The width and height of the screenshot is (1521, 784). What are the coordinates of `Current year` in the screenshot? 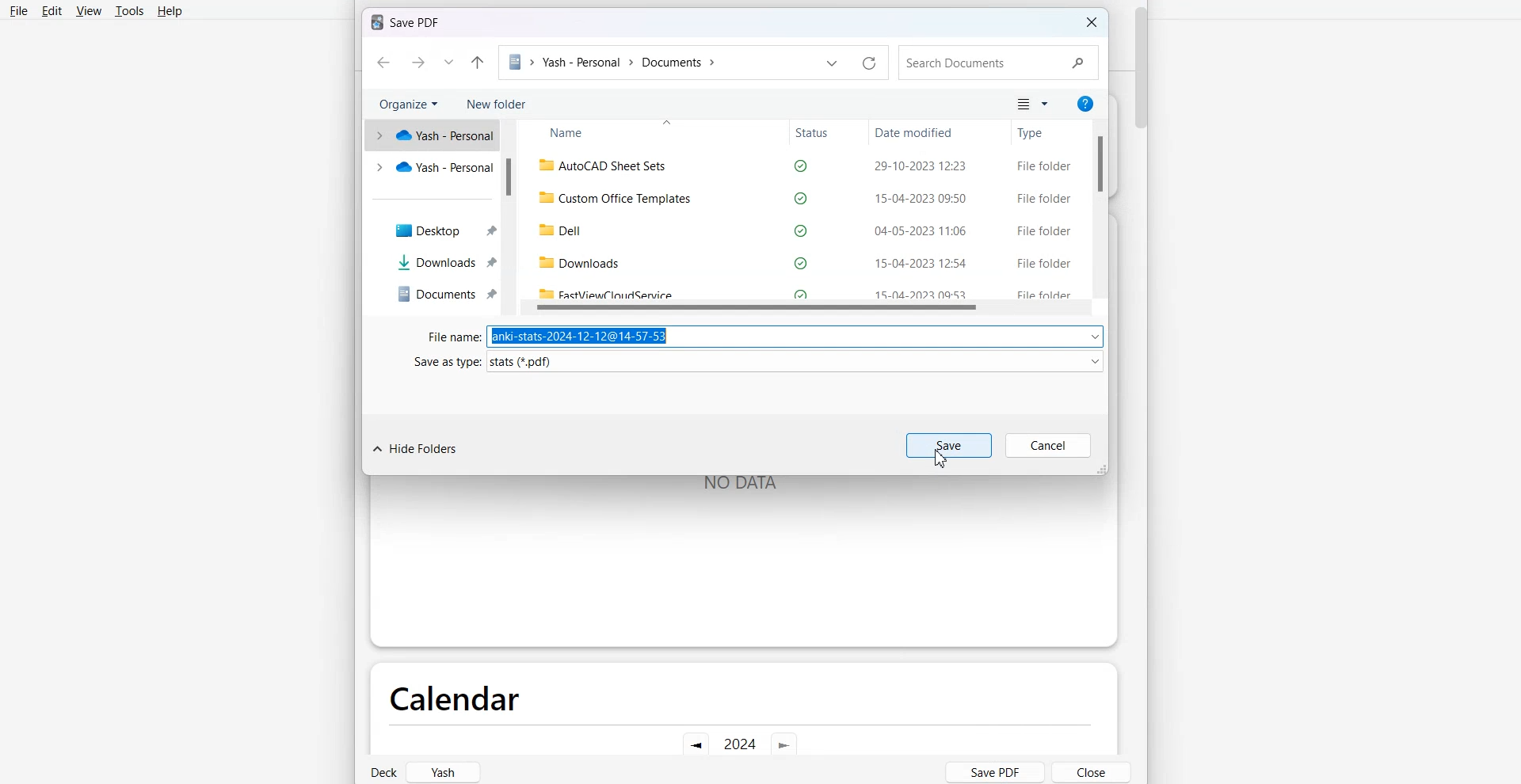 It's located at (740, 744).